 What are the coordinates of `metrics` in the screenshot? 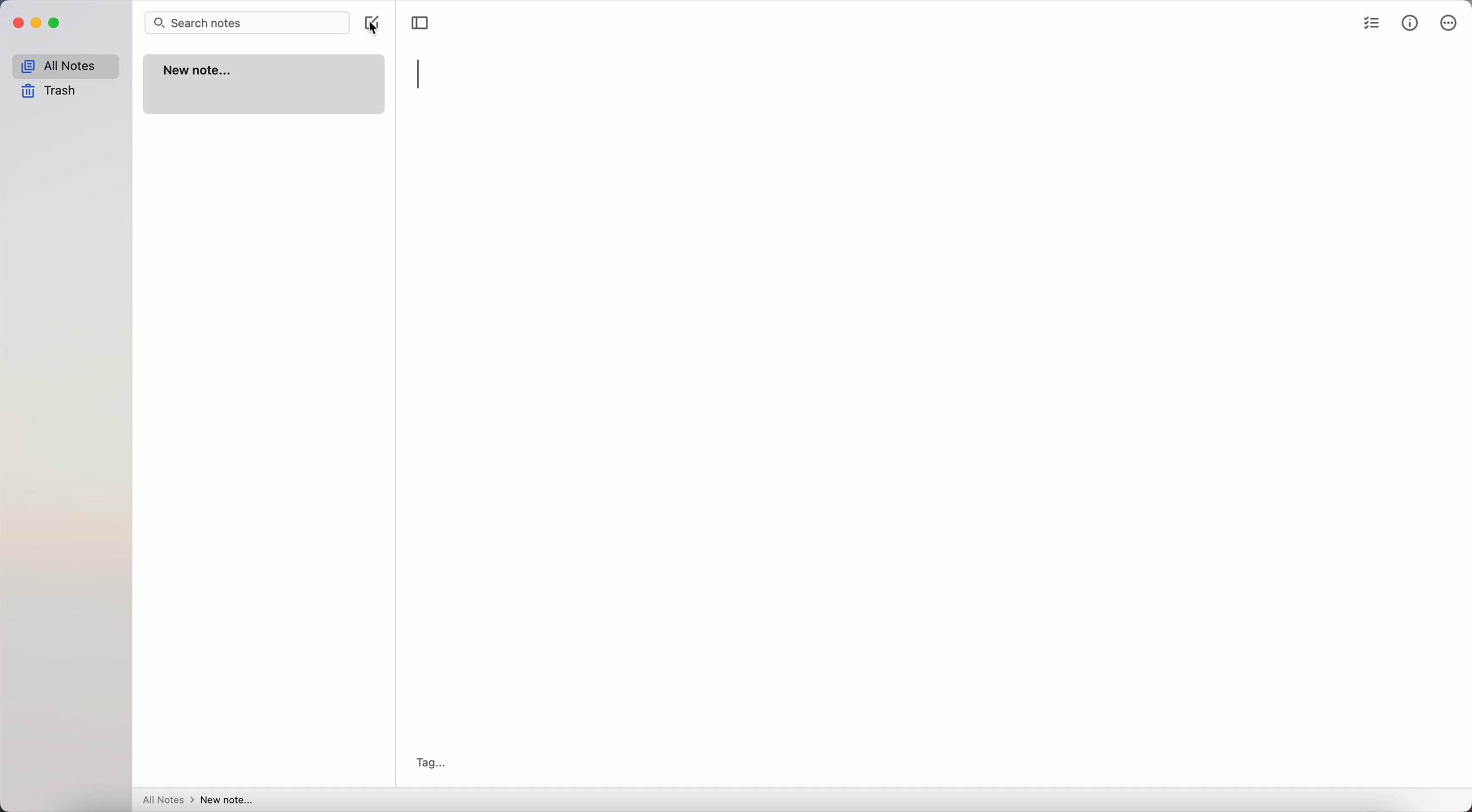 It's located at (1410, 25).